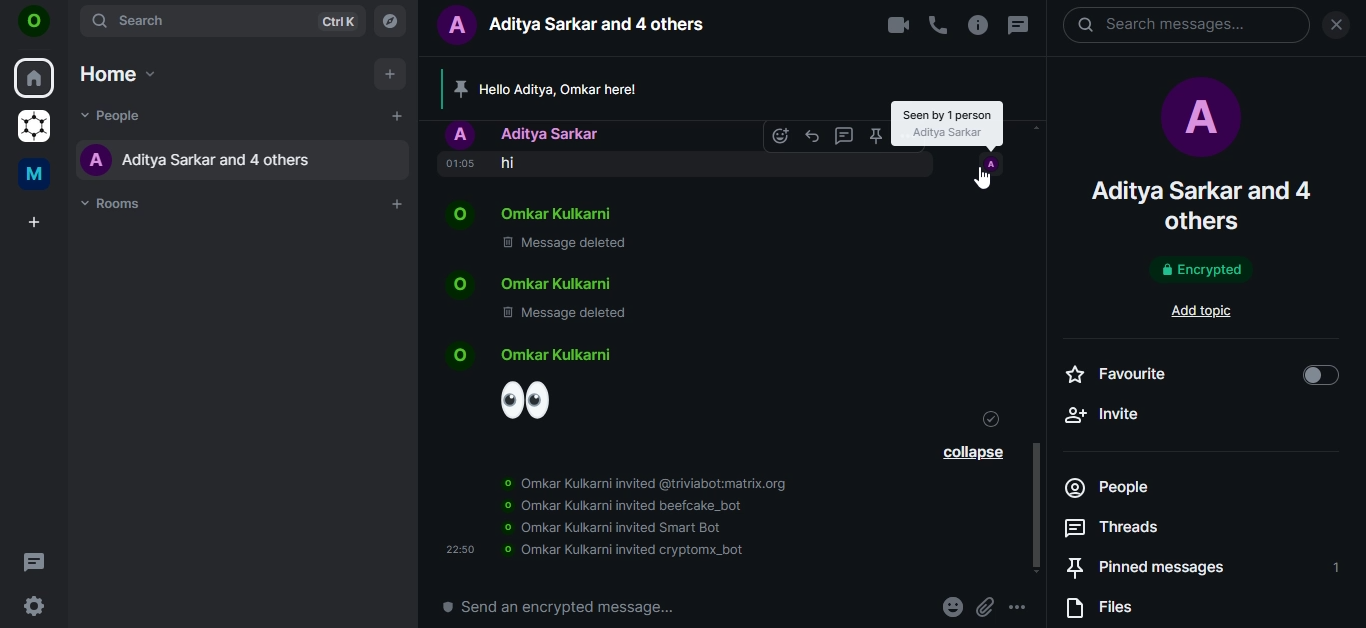 The image size is (1366, 628). What do you see at coordinates (34, 561) in the screenshot?
I see `threads` at bounding box center [34, 561].